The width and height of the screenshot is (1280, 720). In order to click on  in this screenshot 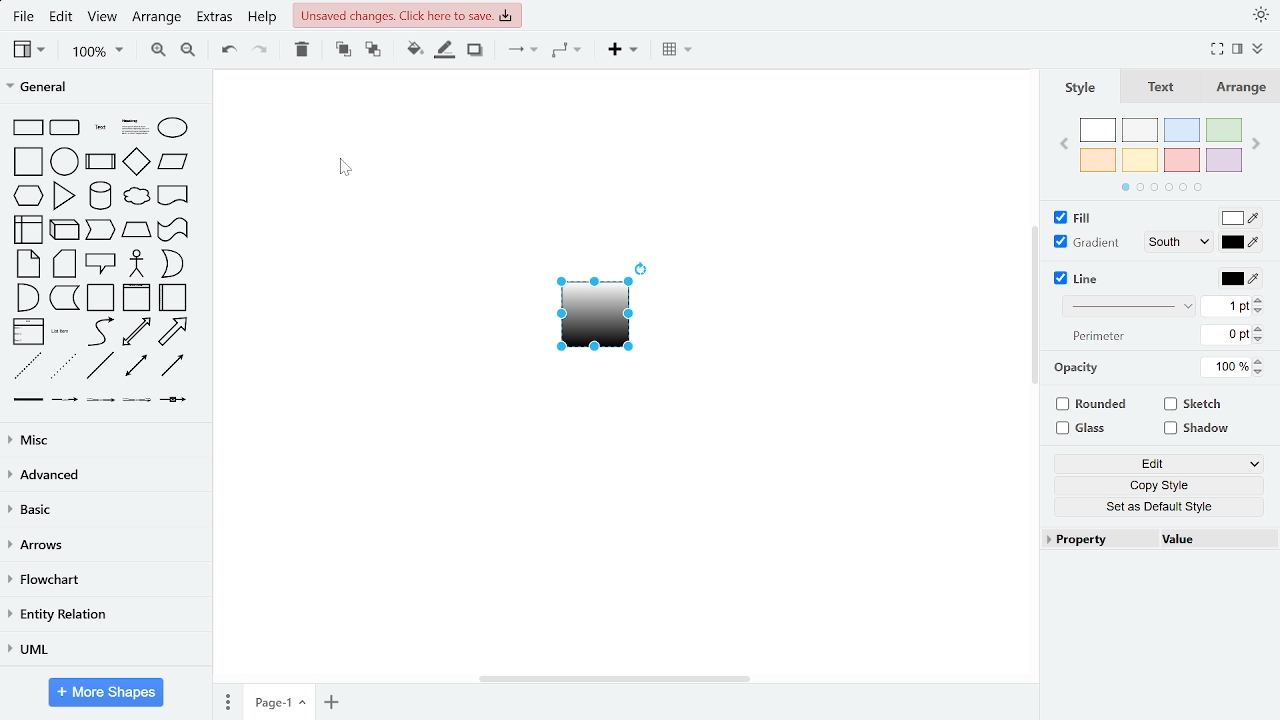, I will do `click(134, 400)`.